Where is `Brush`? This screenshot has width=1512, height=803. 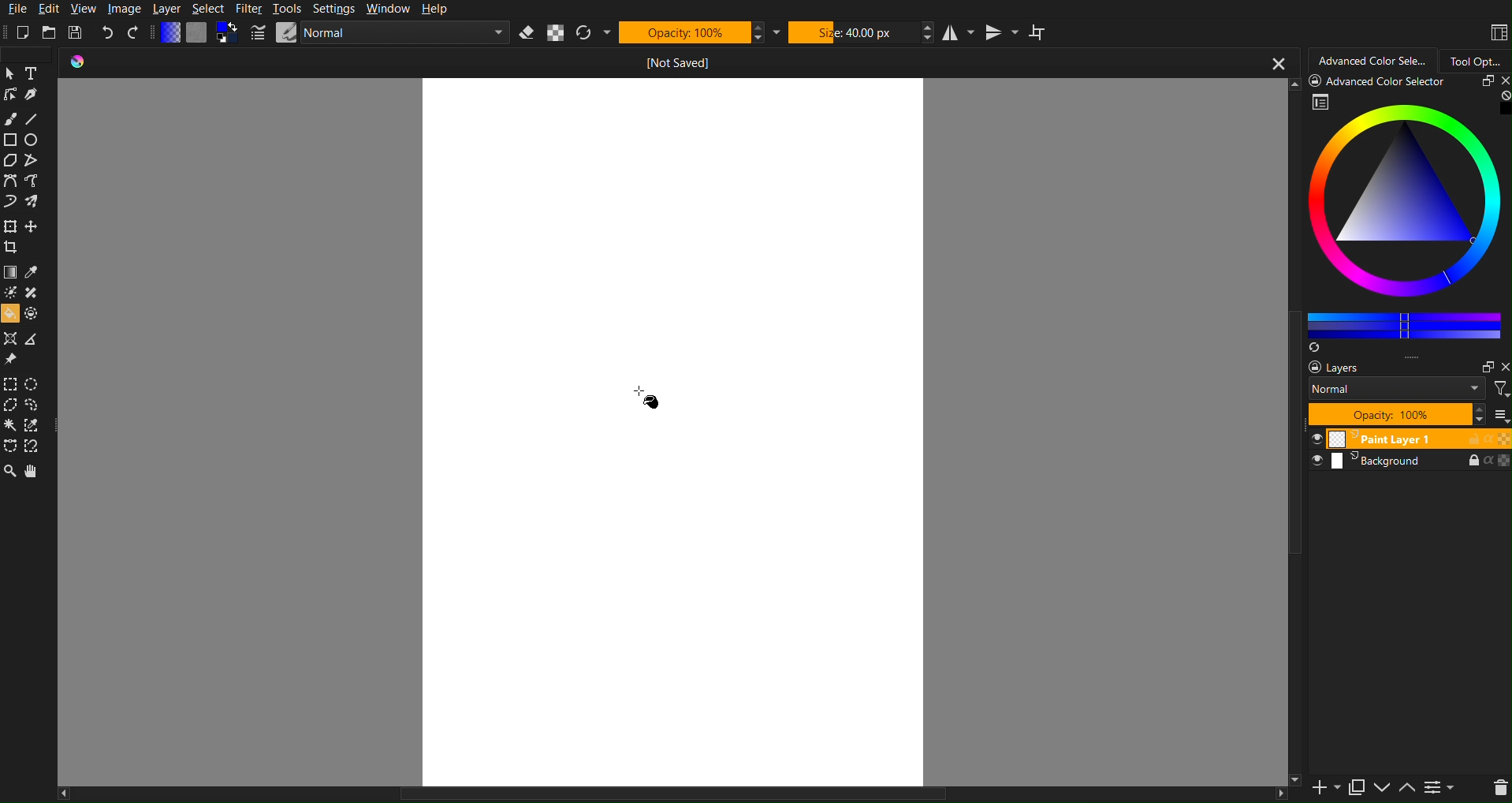
Brush is located at coordinates (9, 115).